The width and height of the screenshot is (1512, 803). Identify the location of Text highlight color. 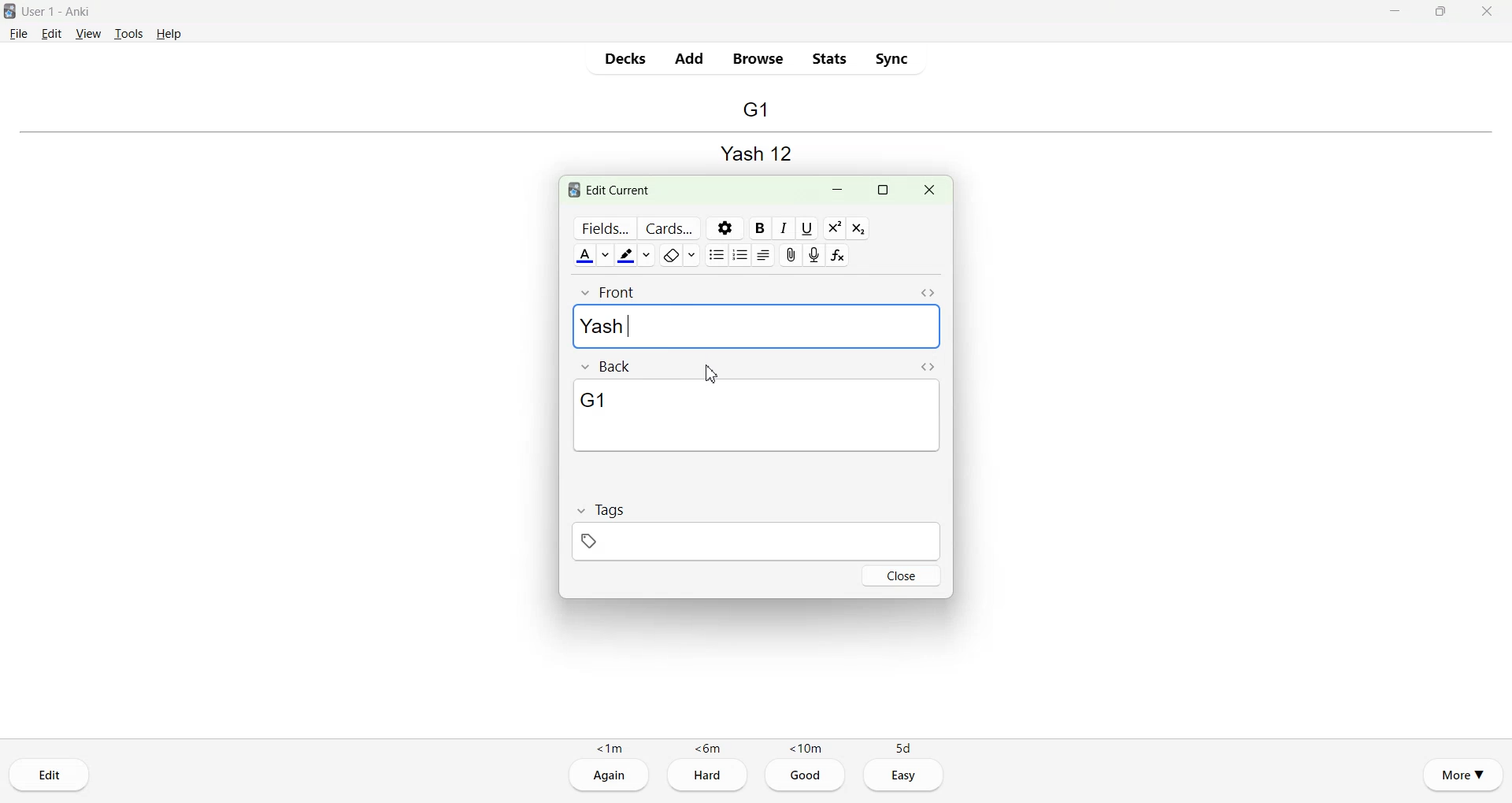
(628, 256).